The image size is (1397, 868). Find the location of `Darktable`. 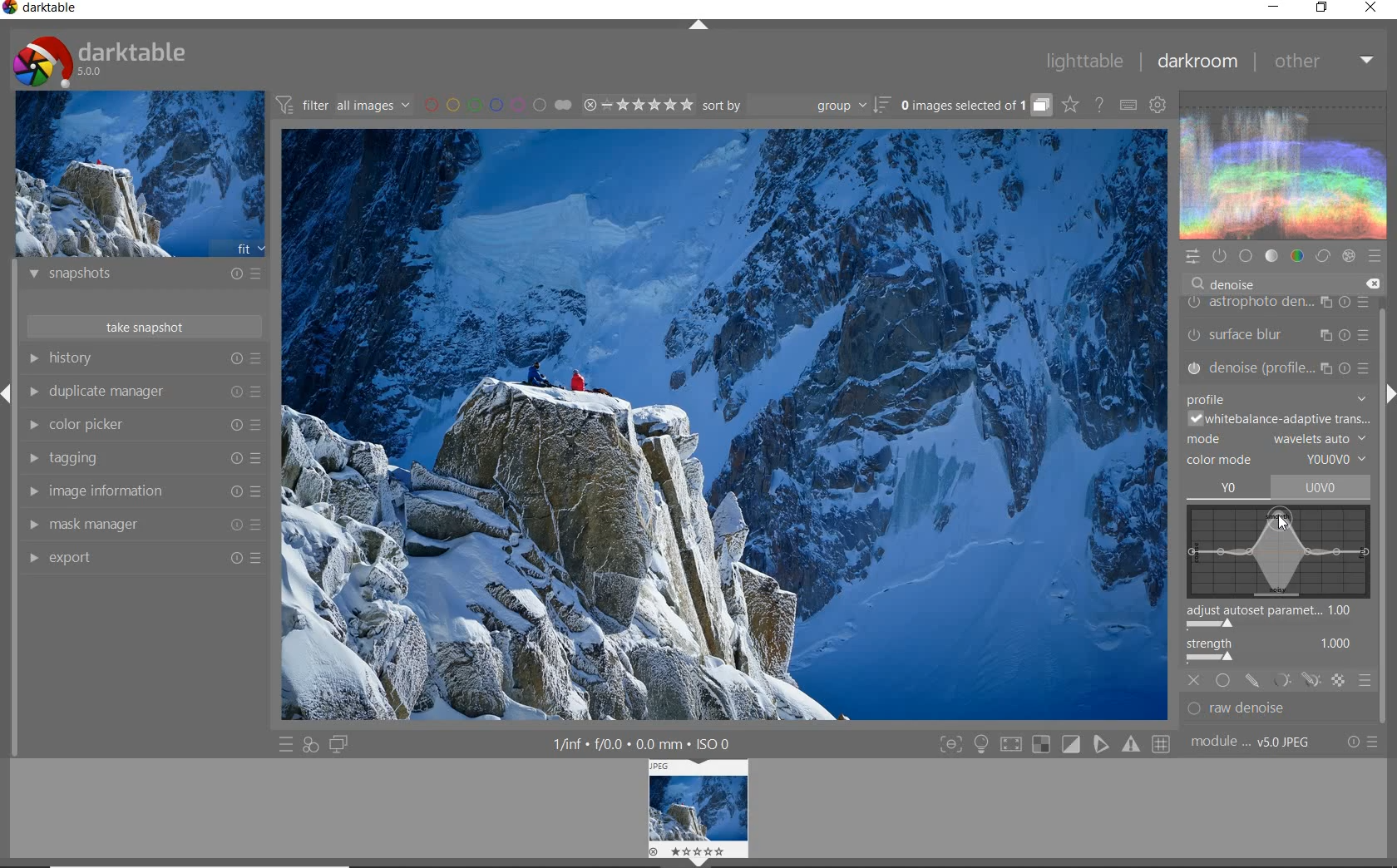

Darktable is located at coordinates (42, 11).